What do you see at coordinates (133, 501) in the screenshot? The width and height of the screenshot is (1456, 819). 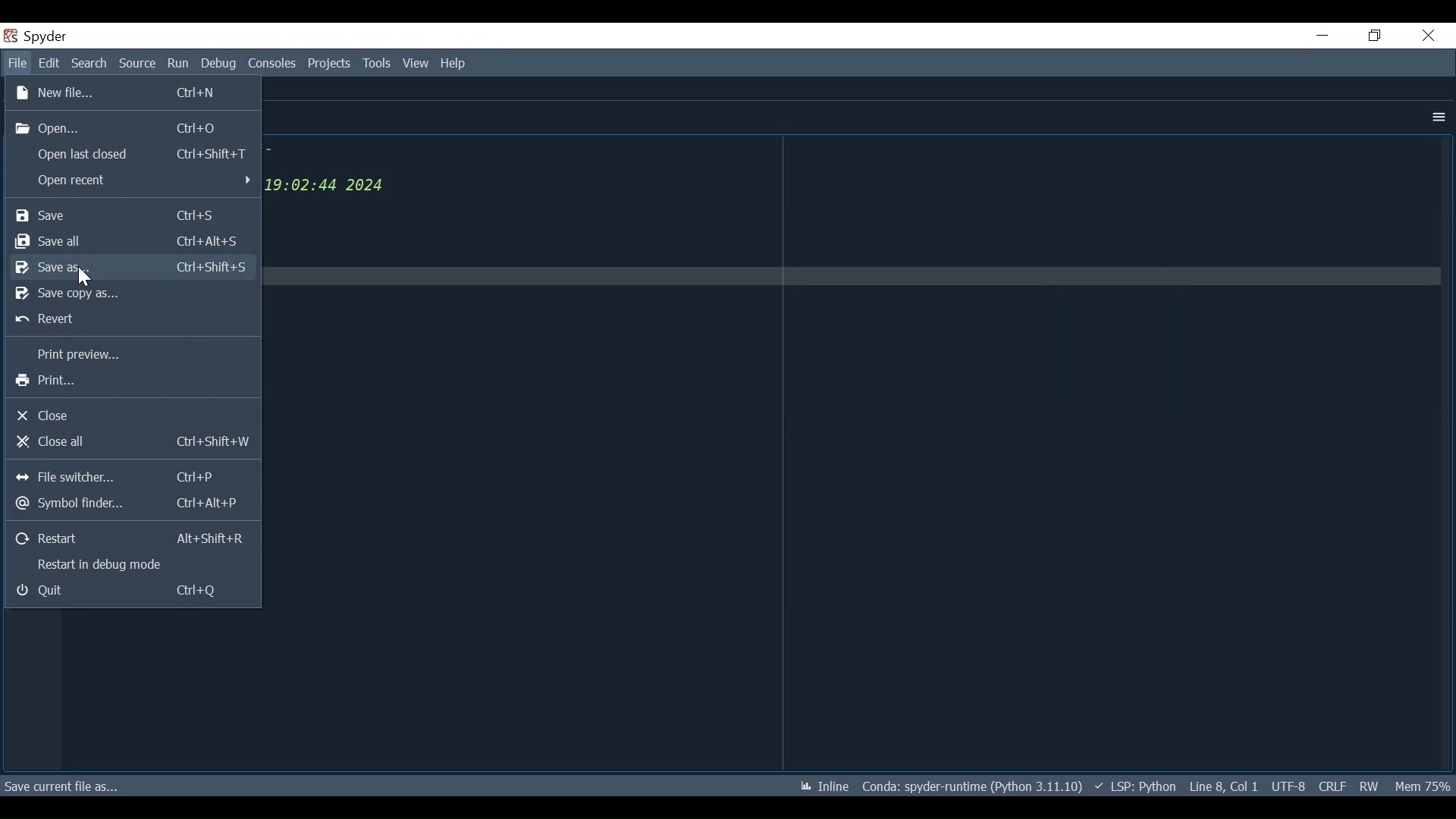 I see `Symbol finder` at bounding box center [133, 501].